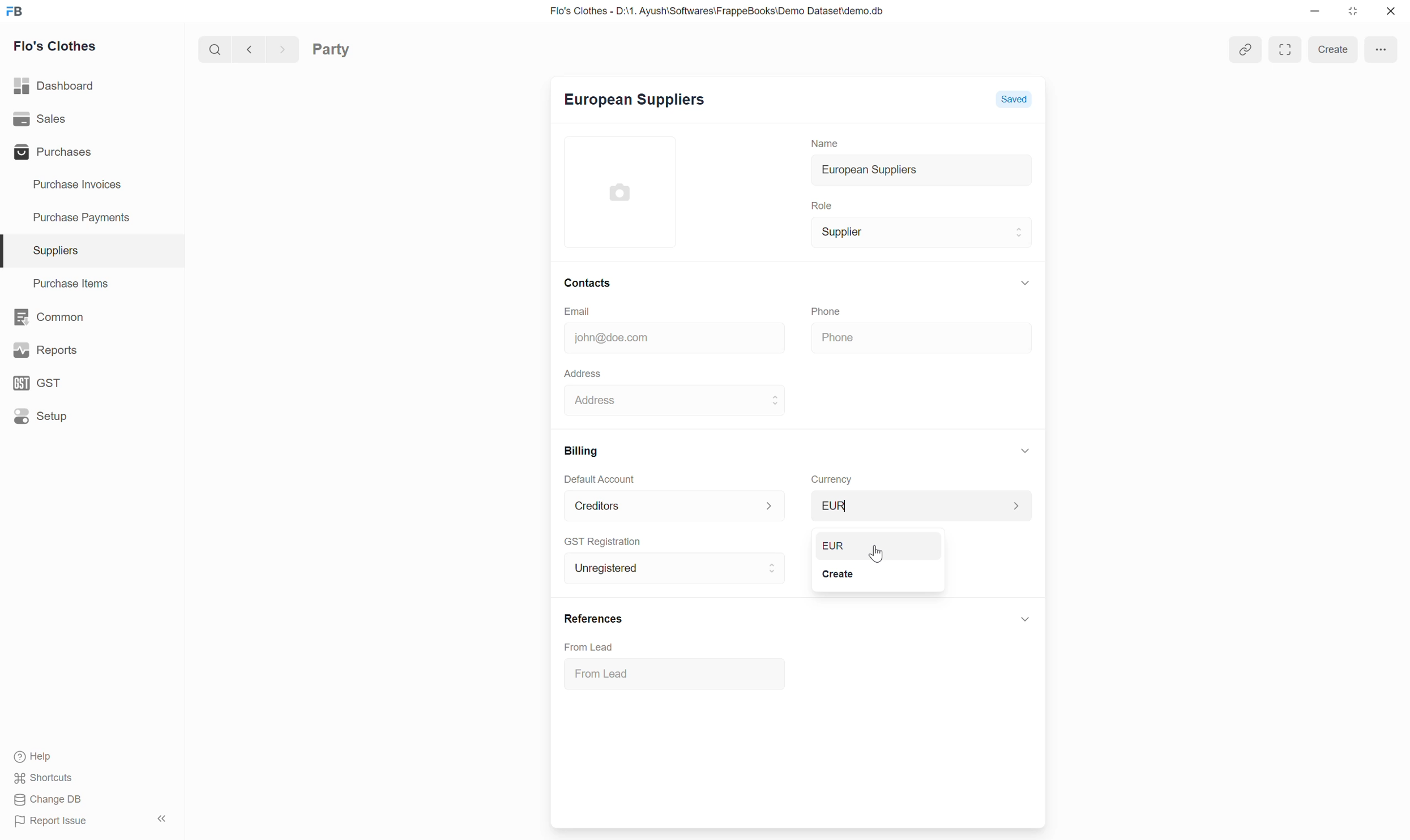 The width and height of the screenshot is (1410, 840). I want to click on cursor, so click(883, 552).